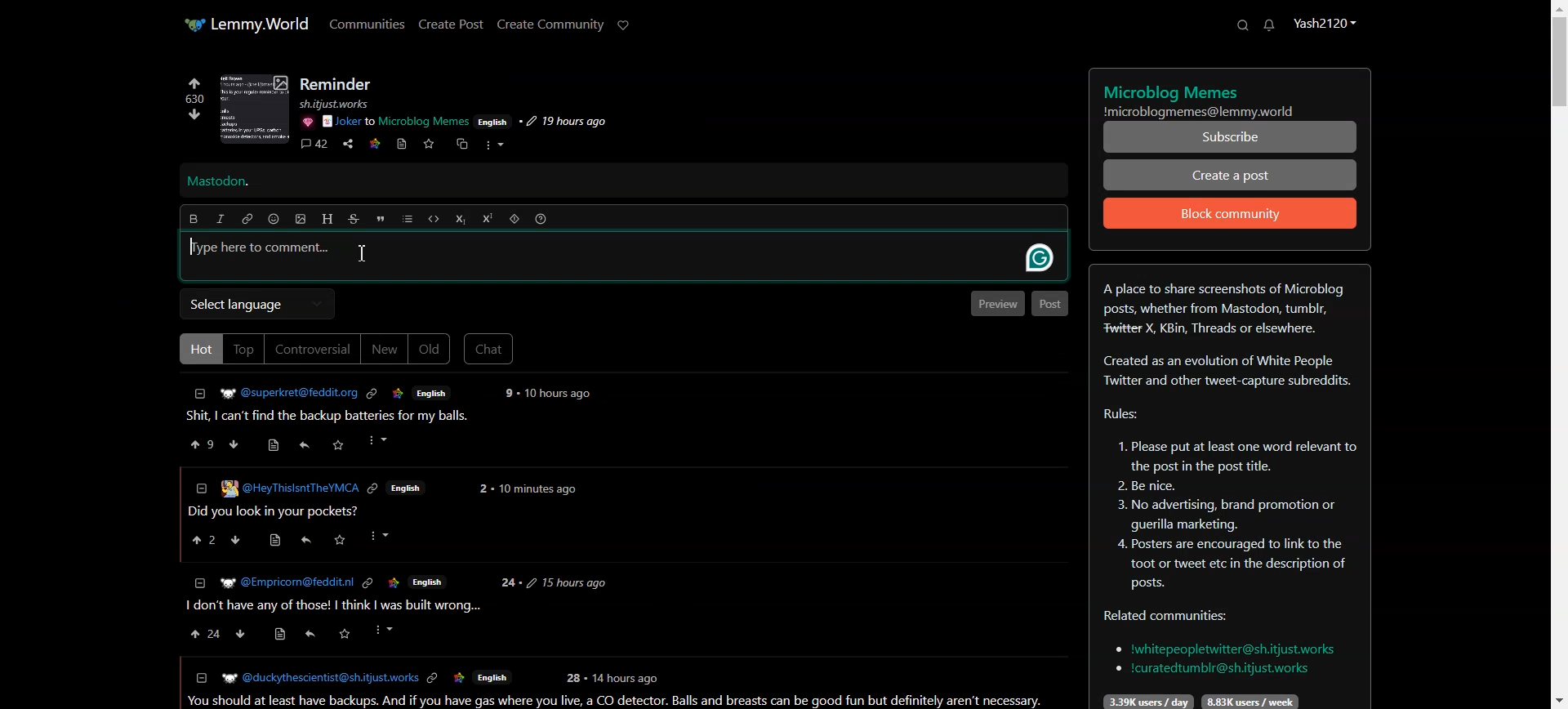  Describe the element at coordinates (628, 677) in the screenshot. I see `` at that location.